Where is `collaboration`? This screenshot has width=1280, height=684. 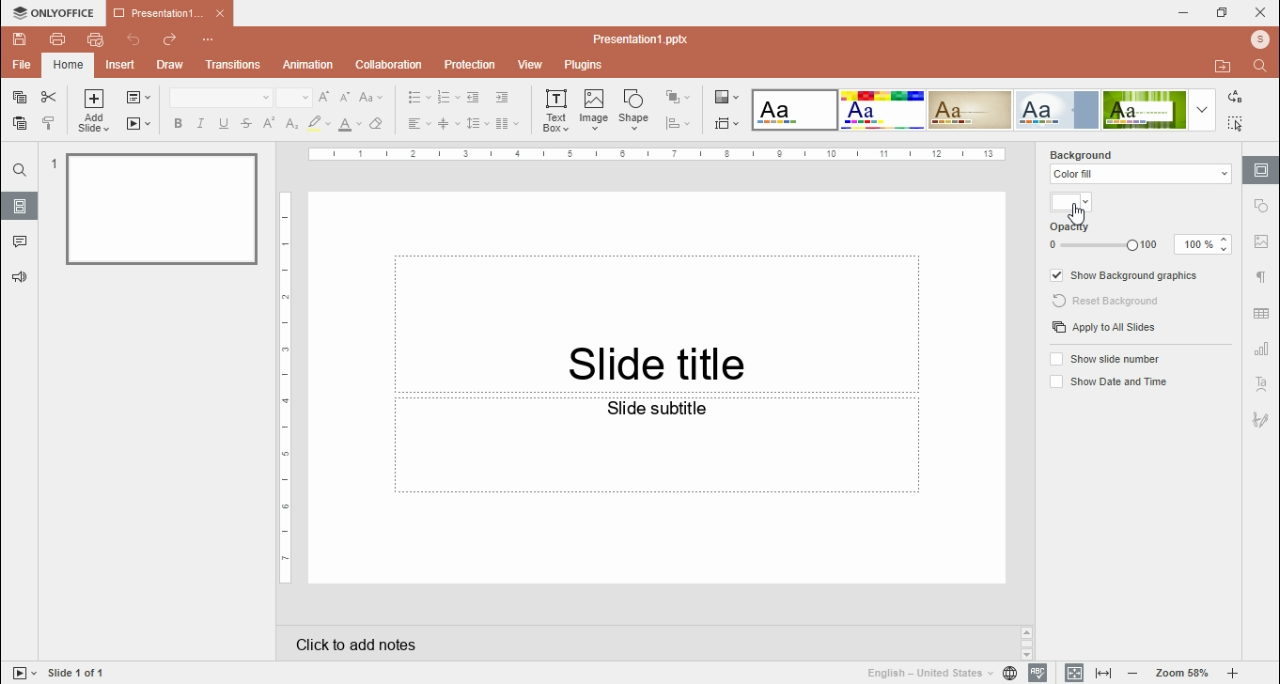
collaboration is located at coordinates (389, 64).